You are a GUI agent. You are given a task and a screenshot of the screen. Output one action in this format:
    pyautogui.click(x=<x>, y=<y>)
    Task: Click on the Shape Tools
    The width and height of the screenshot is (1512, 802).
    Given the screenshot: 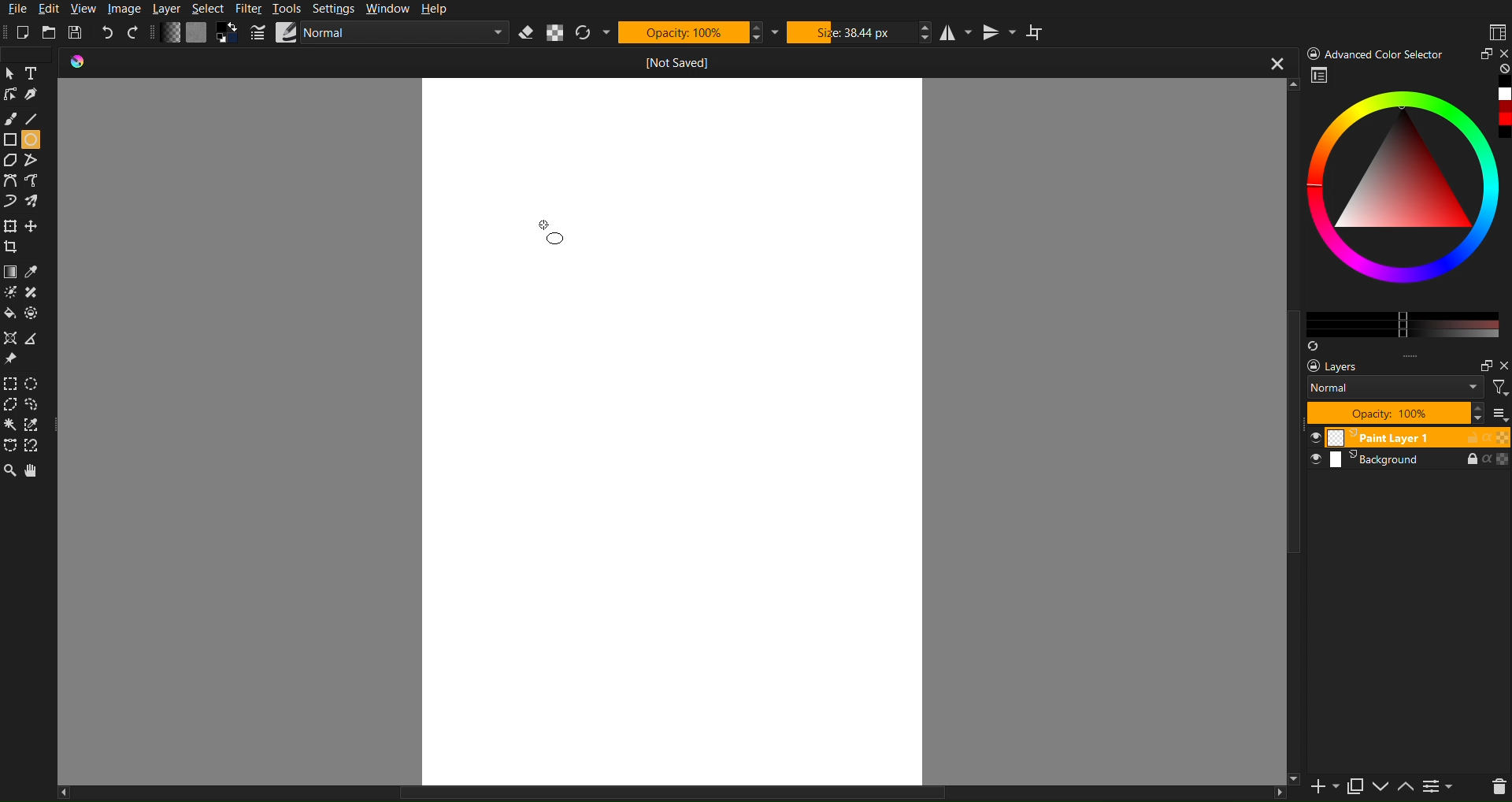 What is the action you would take?
    pyautogui.click(x=9, y=142)
    